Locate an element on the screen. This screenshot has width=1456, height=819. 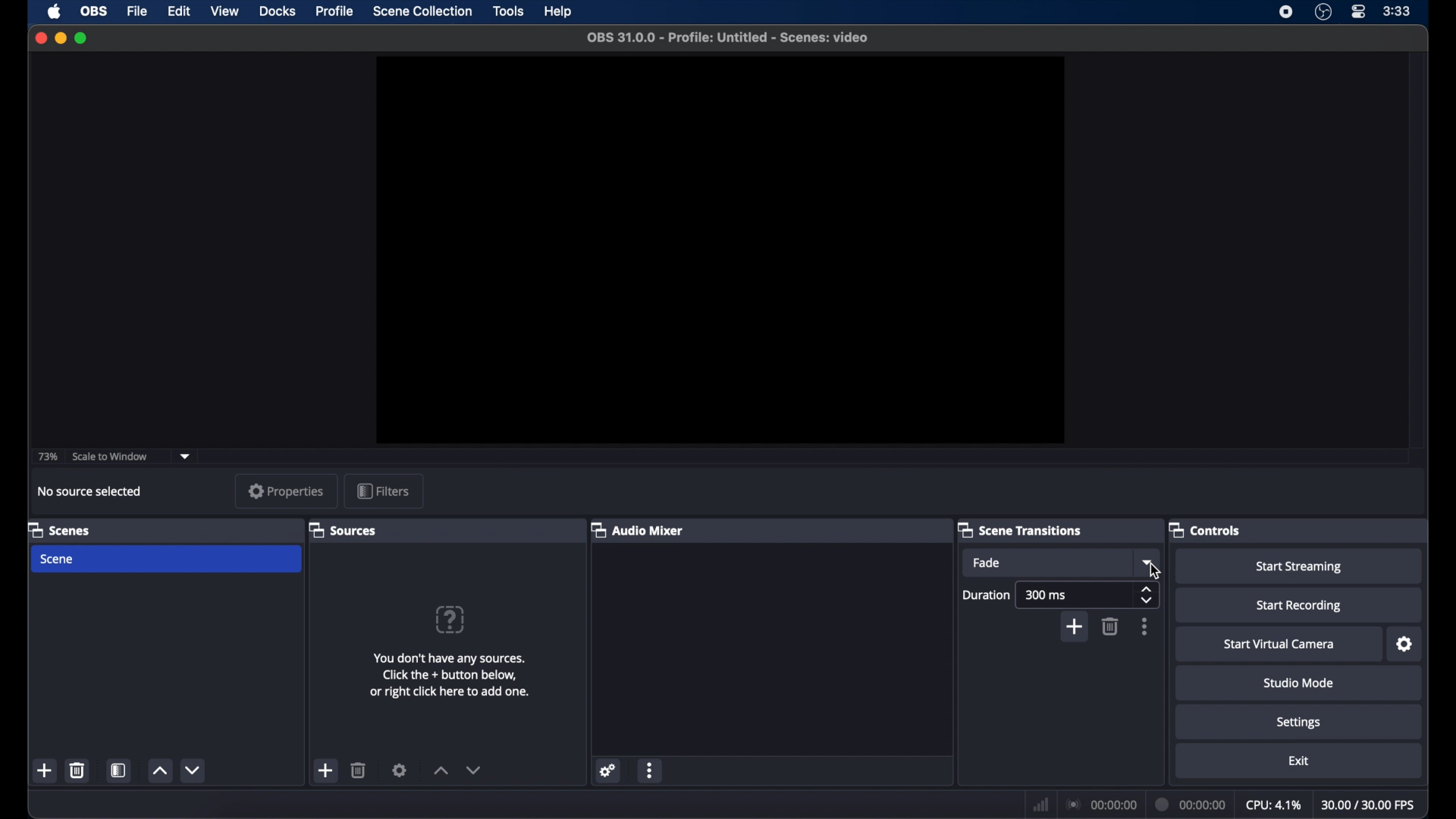
view is located at coordinates (224, 11).